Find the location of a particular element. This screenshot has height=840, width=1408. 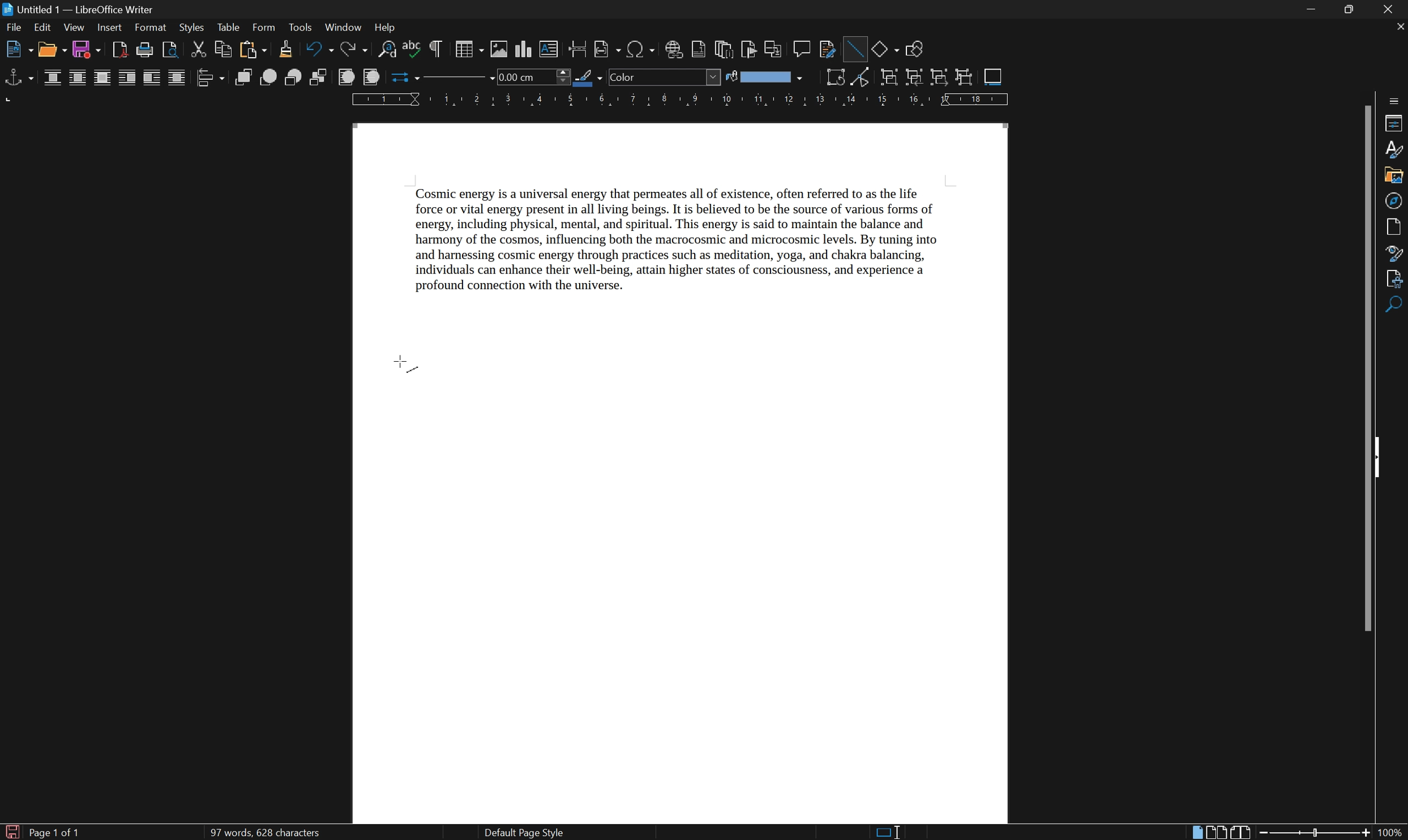

forward one is located at coordinates (268, 77).